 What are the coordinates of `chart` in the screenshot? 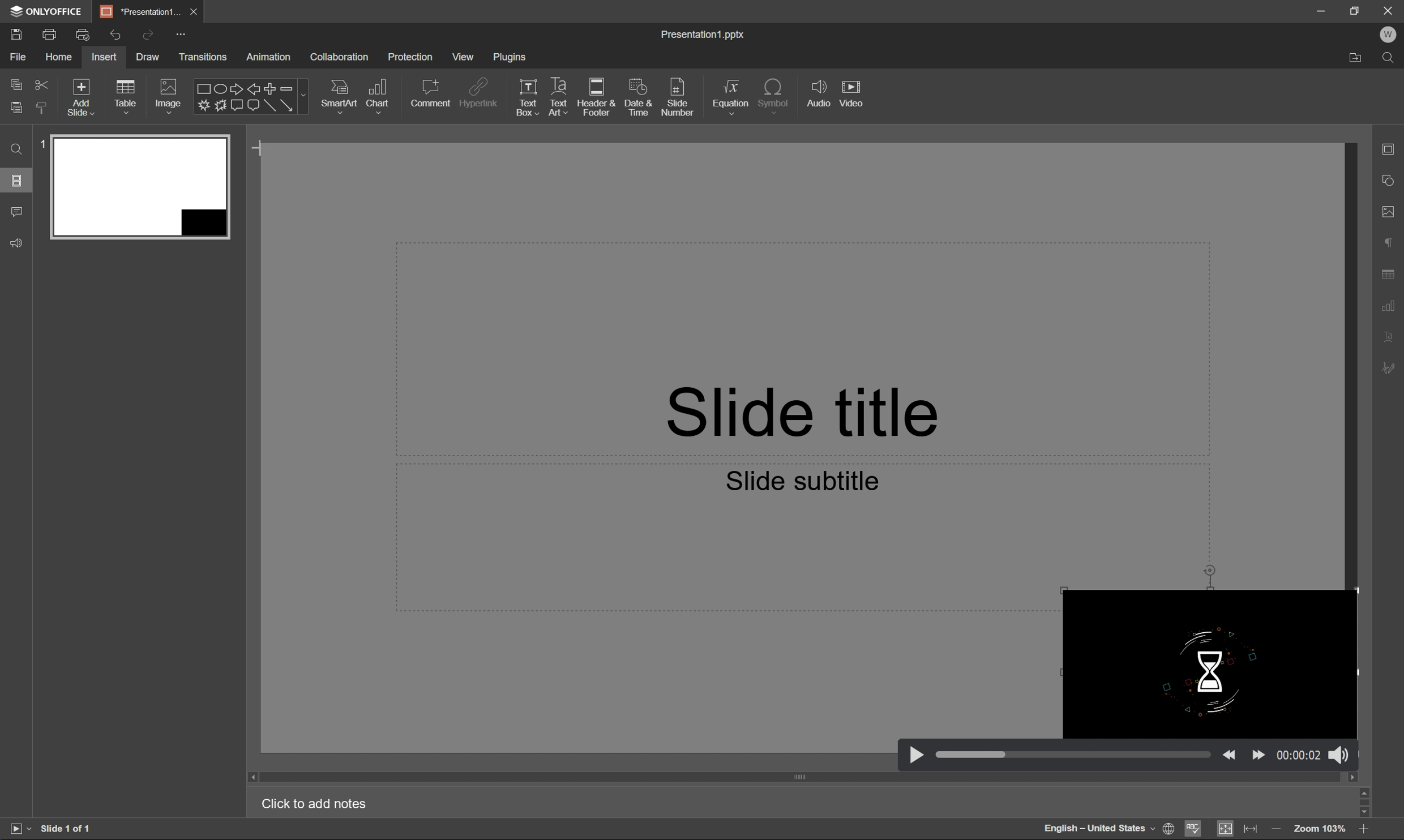 It's located at (378, 96).